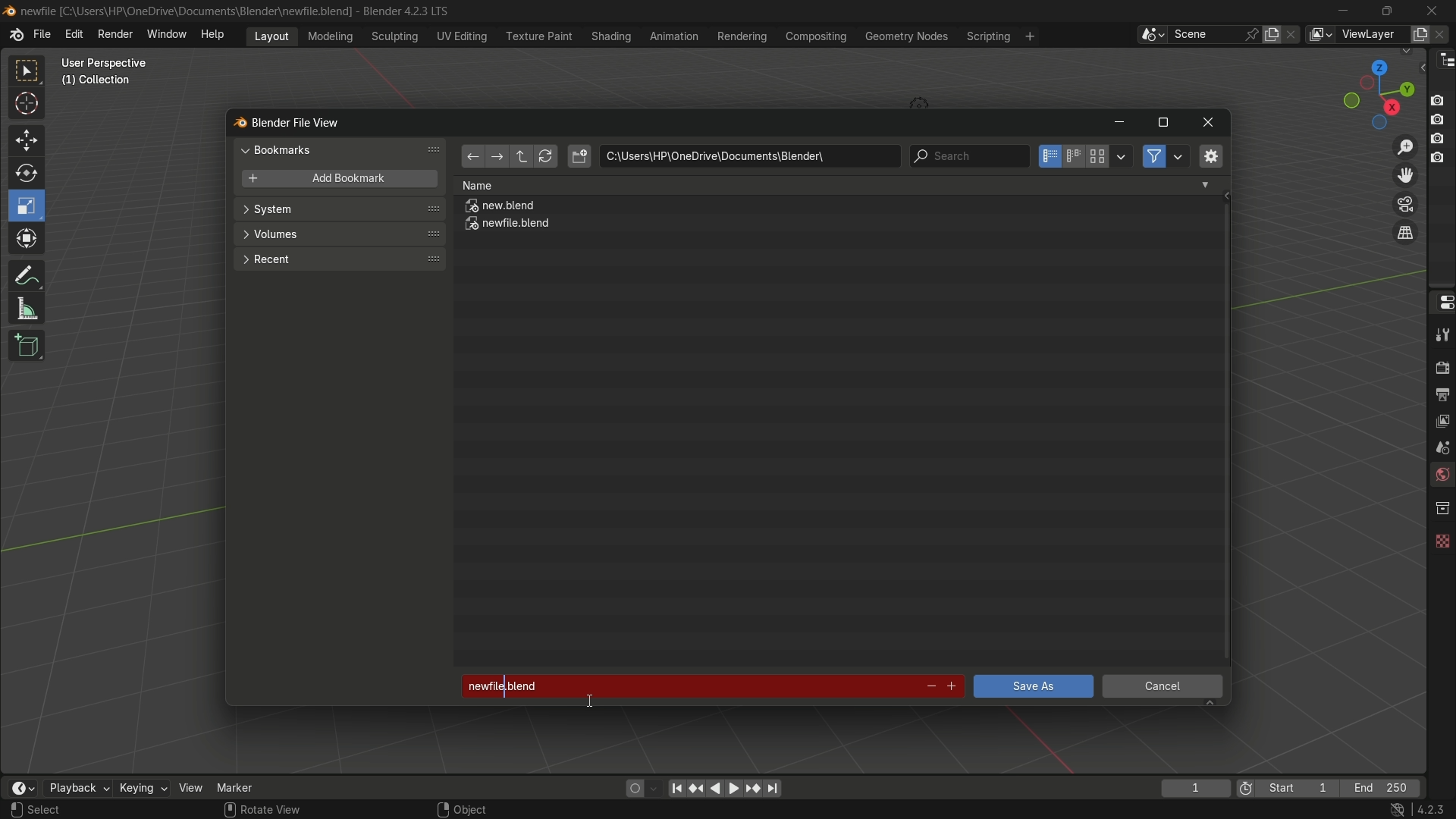 This screenshot has height=819, width=1456. I want to click on view layer, so click(1319, 34).